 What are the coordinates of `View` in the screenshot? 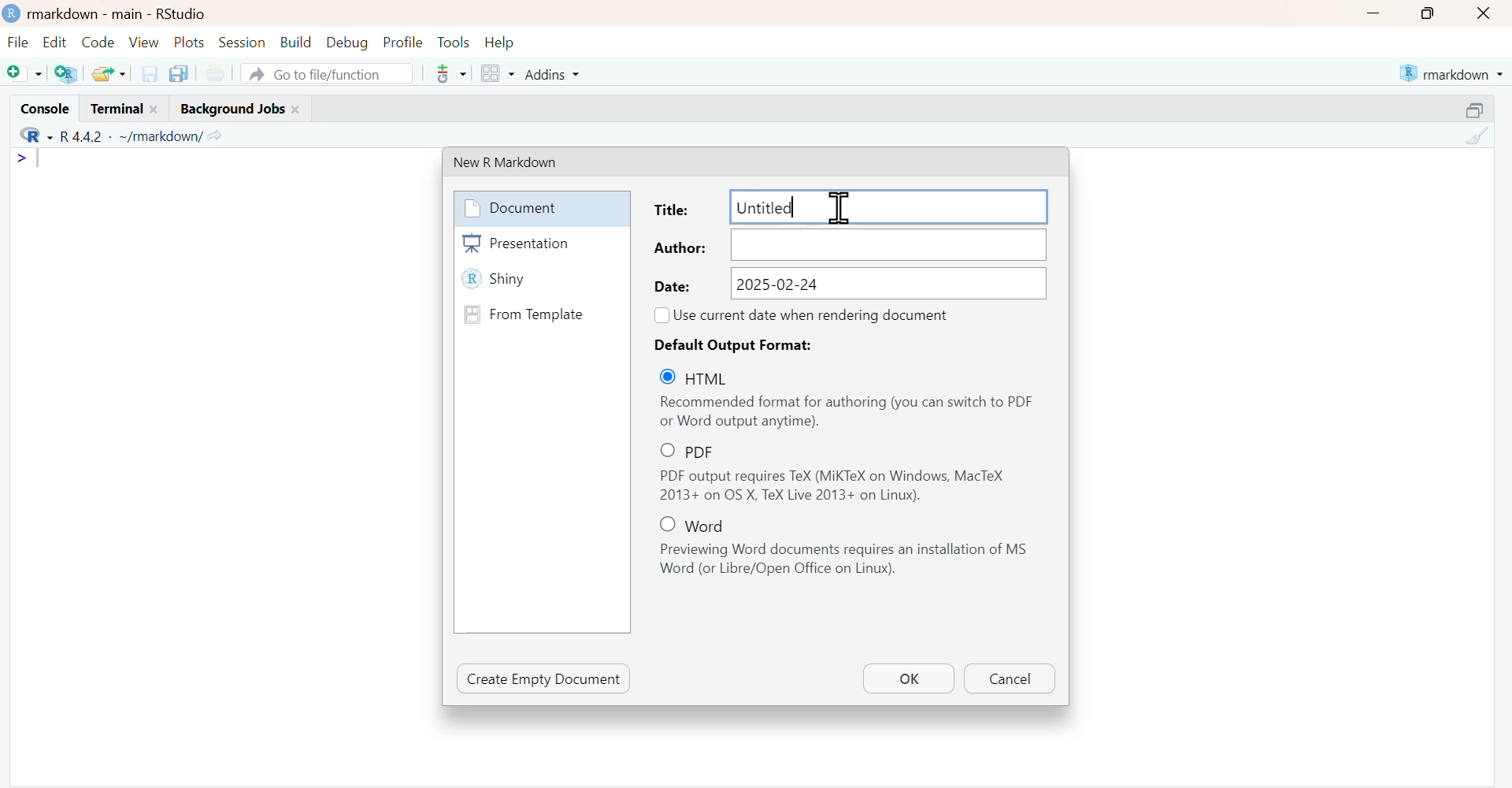 It's located at (144, 42).